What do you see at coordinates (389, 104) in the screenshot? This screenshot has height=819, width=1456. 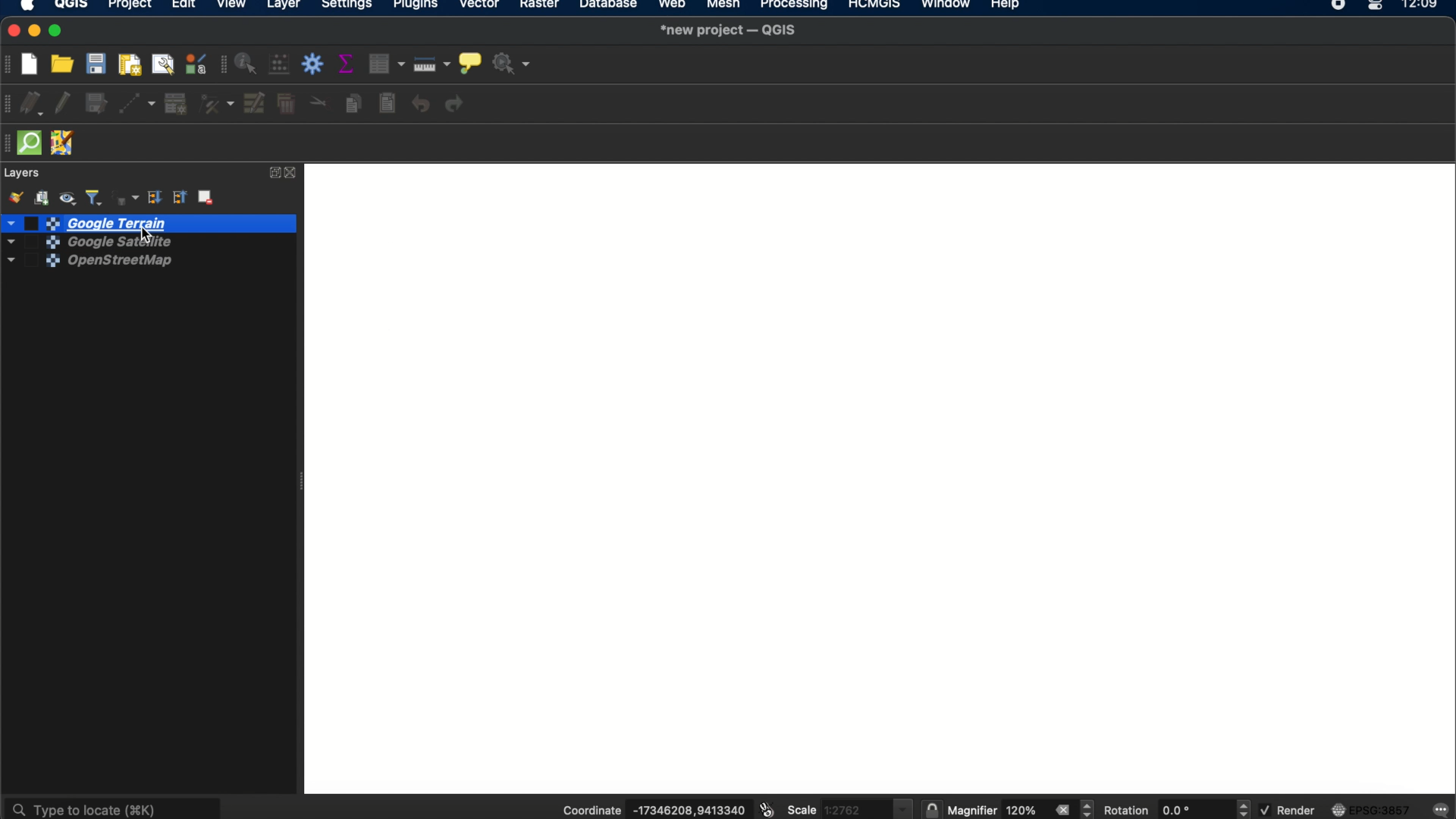 I see `paste features` at bounding box center [389, 104].